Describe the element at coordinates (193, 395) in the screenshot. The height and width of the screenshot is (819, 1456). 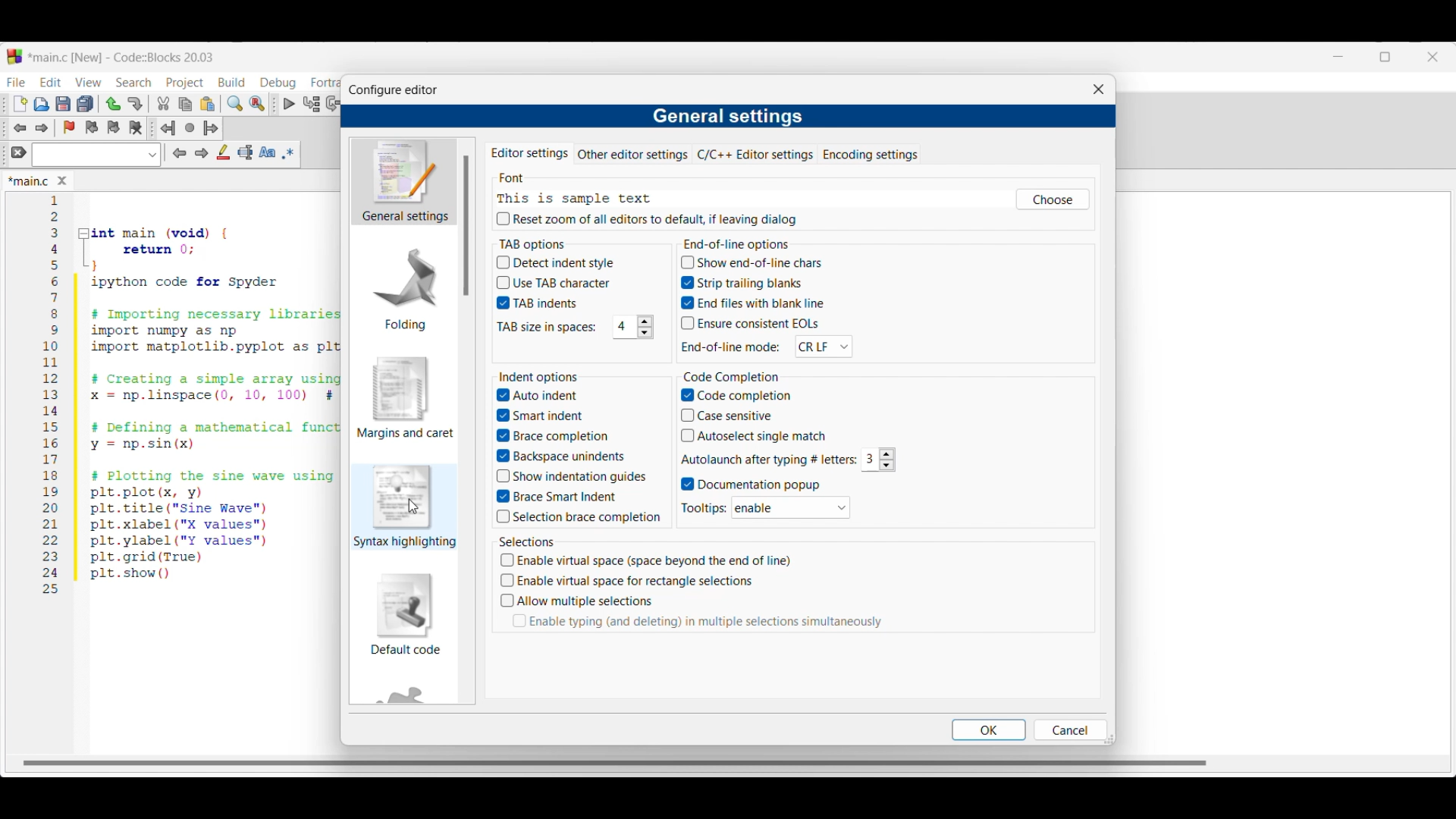
I see `Current code` at that location.